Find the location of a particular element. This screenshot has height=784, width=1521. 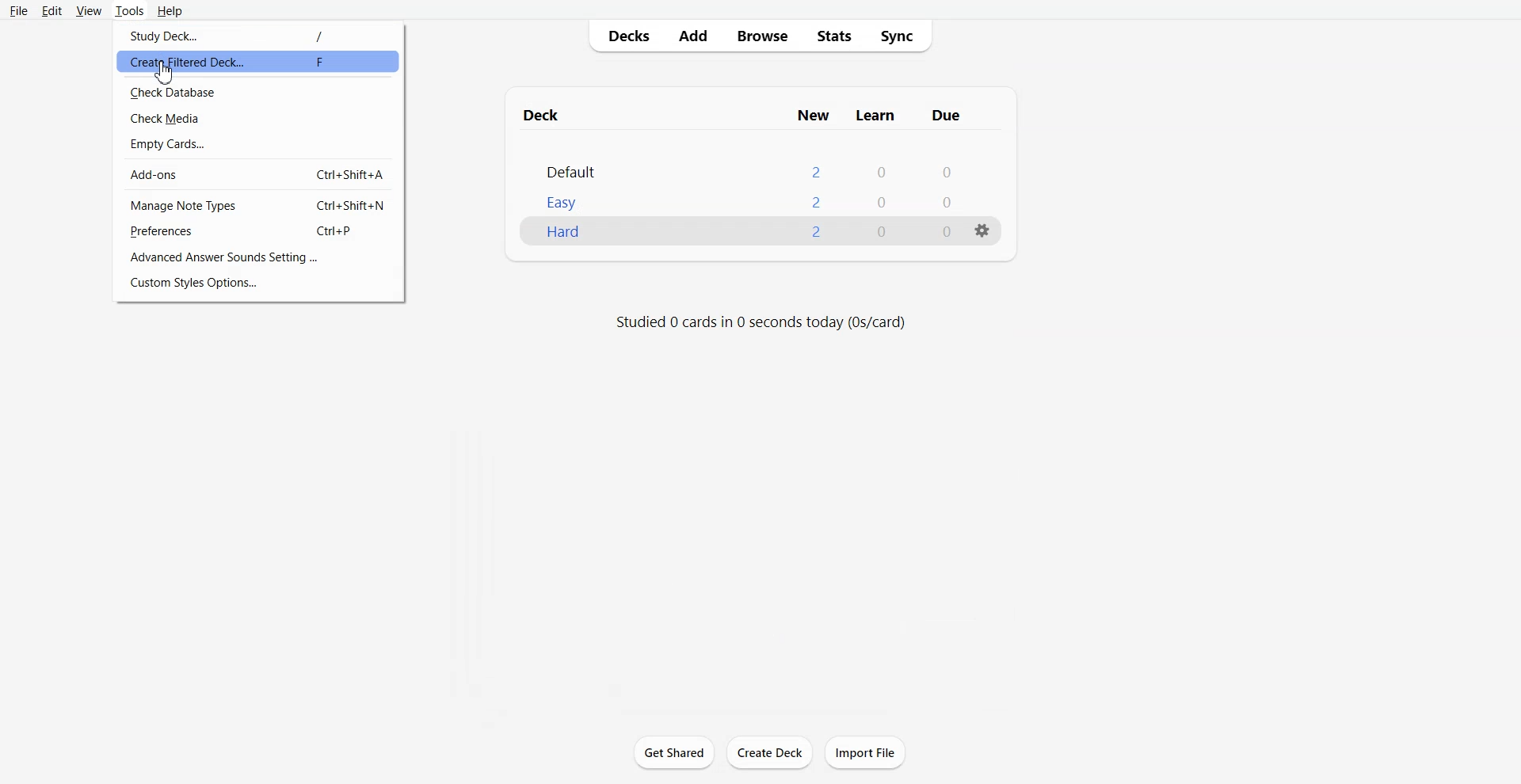

Cursor is located at coordinates (166, 72).